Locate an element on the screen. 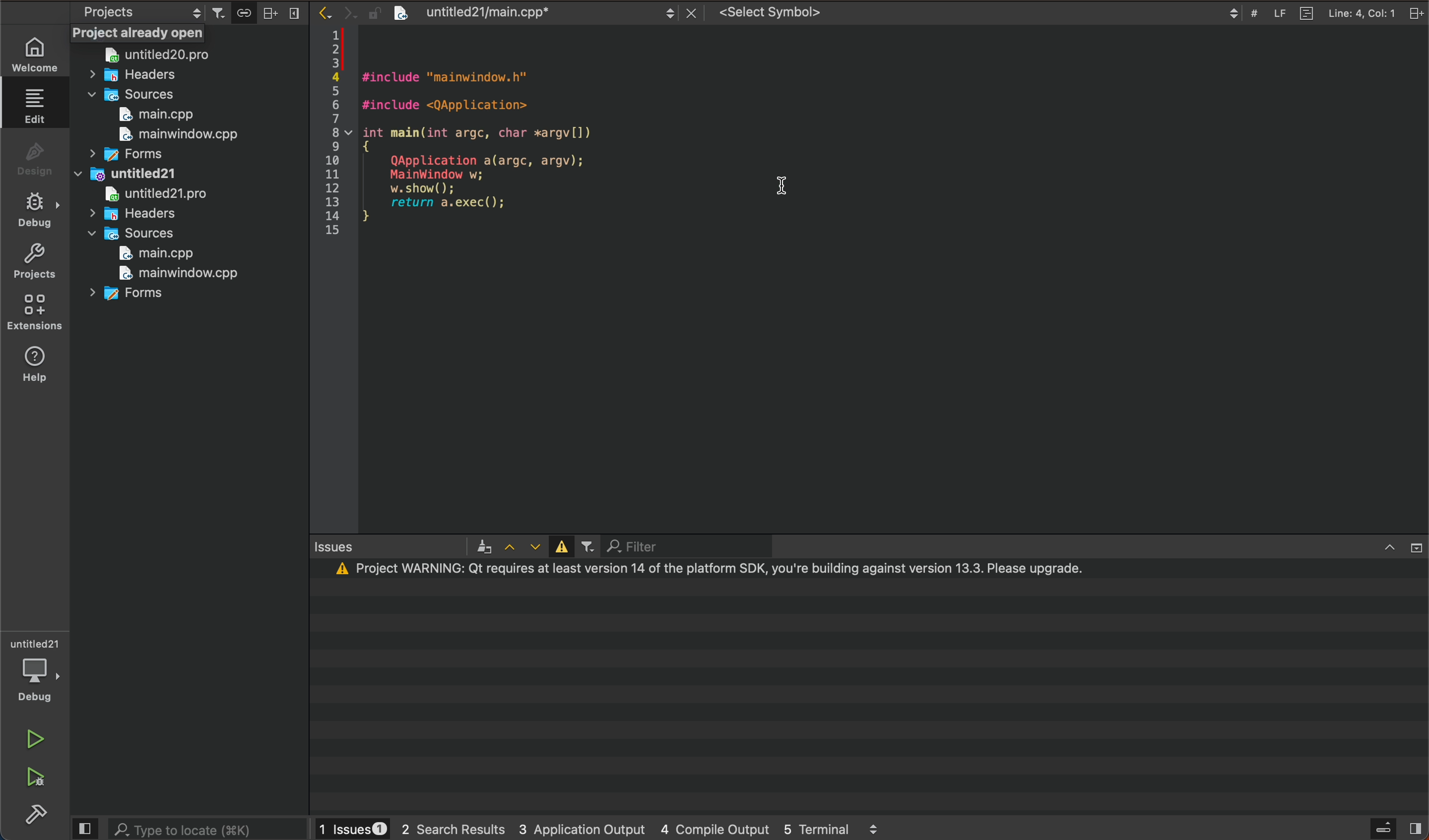 This screenshot has height=840, width=1429. run debug is located at coordinates (32, 779).